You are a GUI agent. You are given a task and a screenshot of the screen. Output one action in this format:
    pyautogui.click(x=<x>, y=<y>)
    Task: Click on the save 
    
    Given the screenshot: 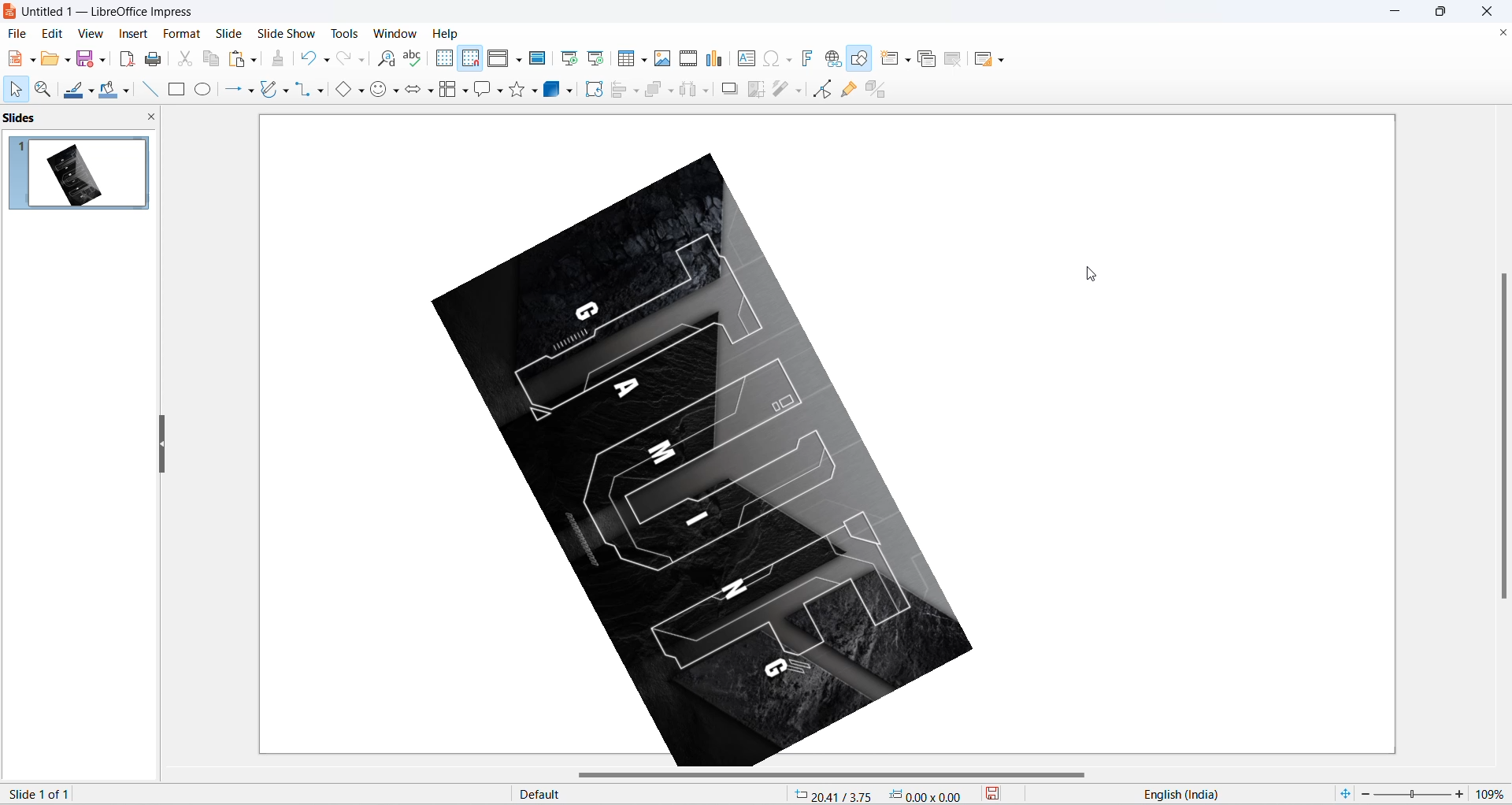 What is the action you would take?
    pyautogui.click(x=86, y=61)
    